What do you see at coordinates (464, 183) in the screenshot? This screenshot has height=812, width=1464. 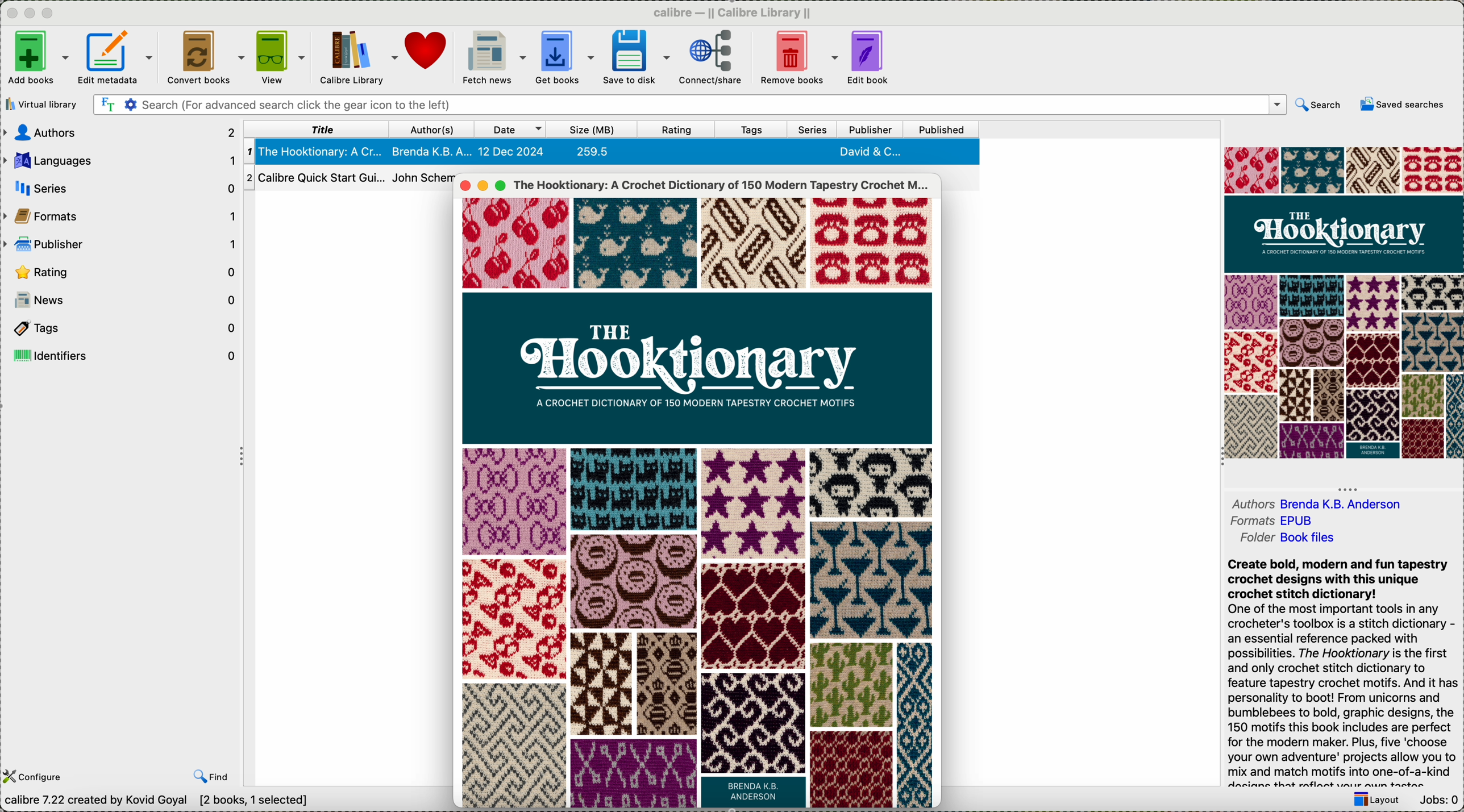 I see `close viewer` at bounding box center [464, 183].